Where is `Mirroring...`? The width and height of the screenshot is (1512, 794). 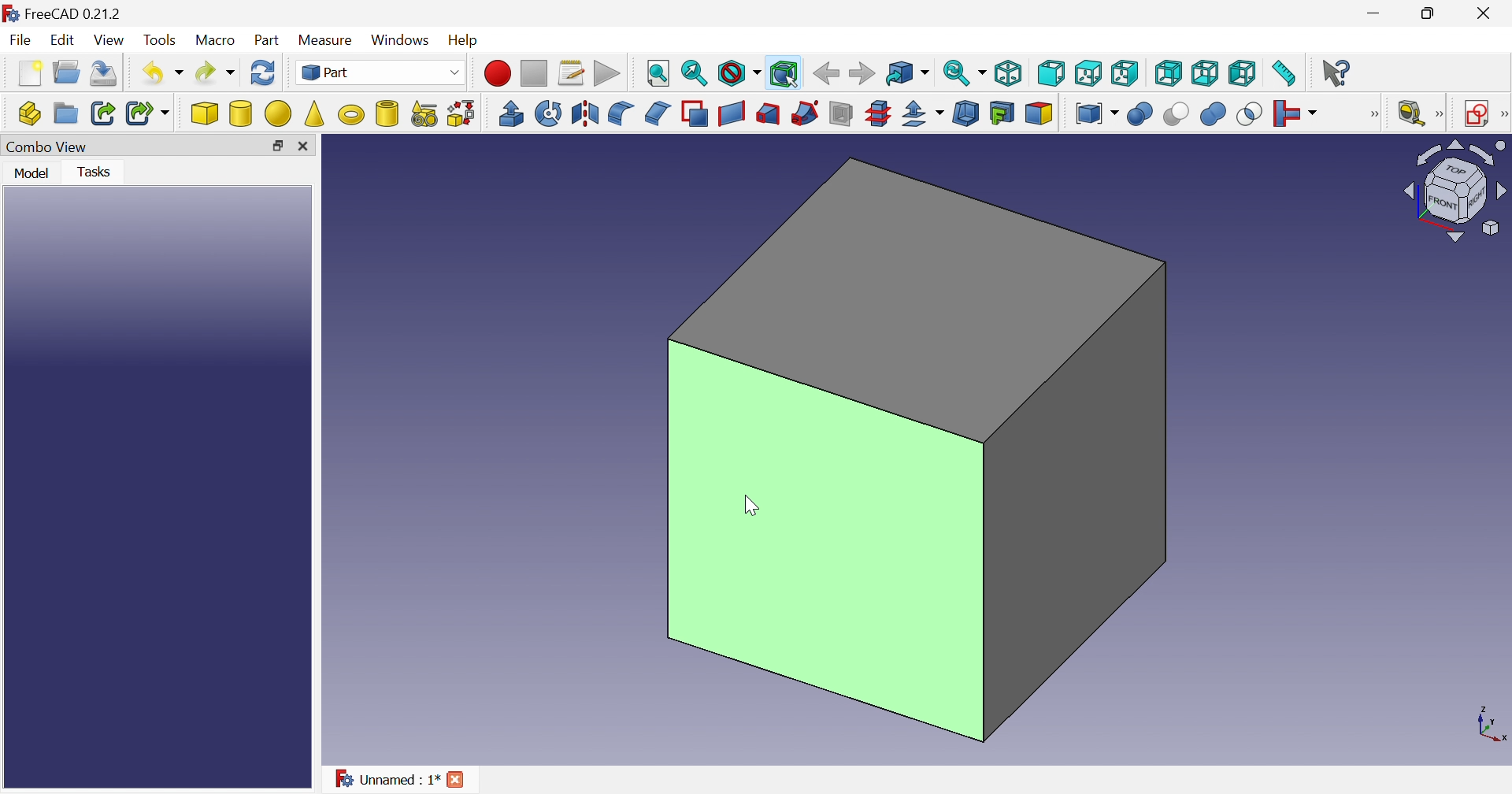
Mirroring... is located at coordinates (583, 113).